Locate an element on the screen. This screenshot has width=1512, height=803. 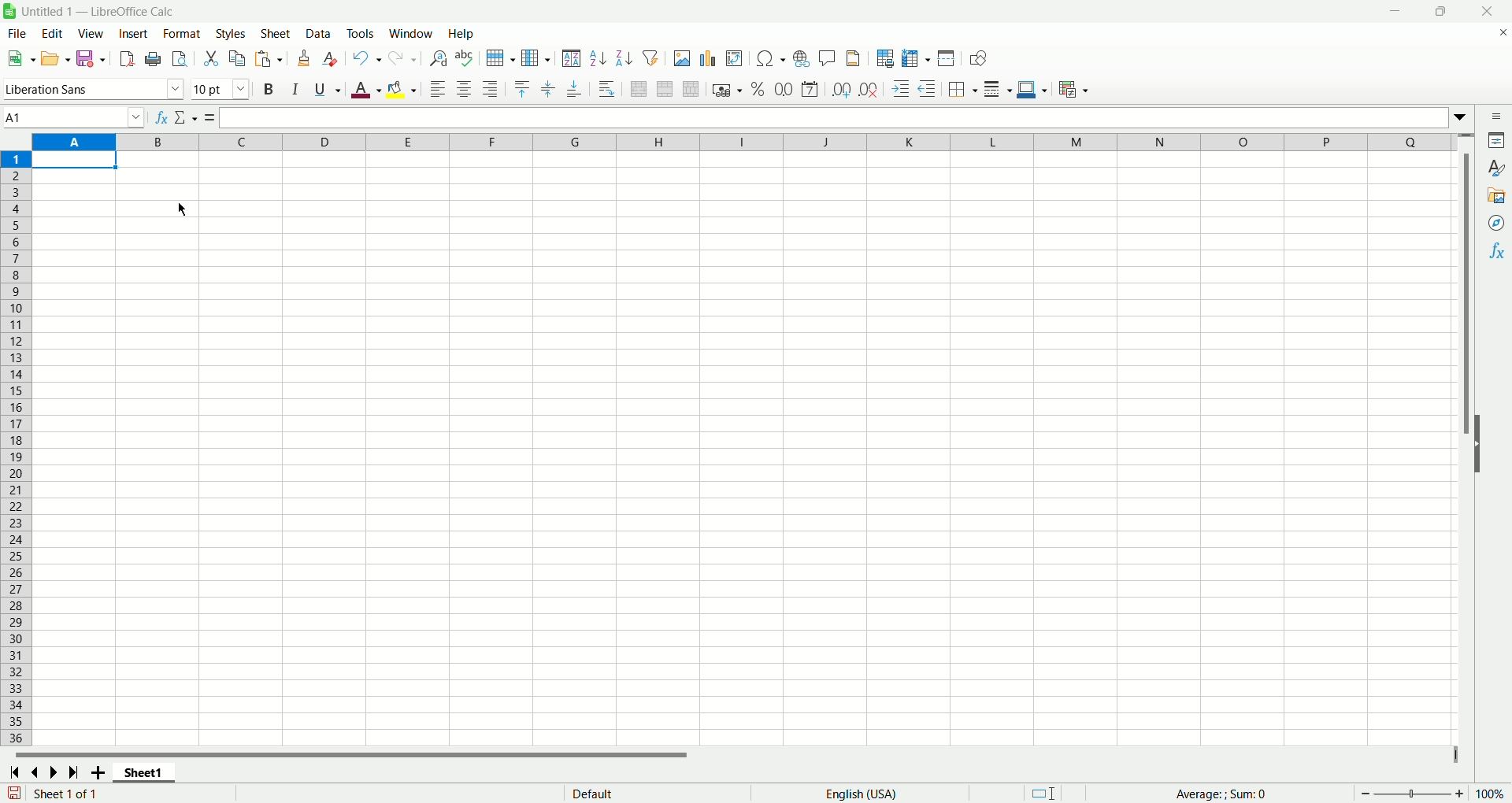
split windows is located at coordinates (947, 60).